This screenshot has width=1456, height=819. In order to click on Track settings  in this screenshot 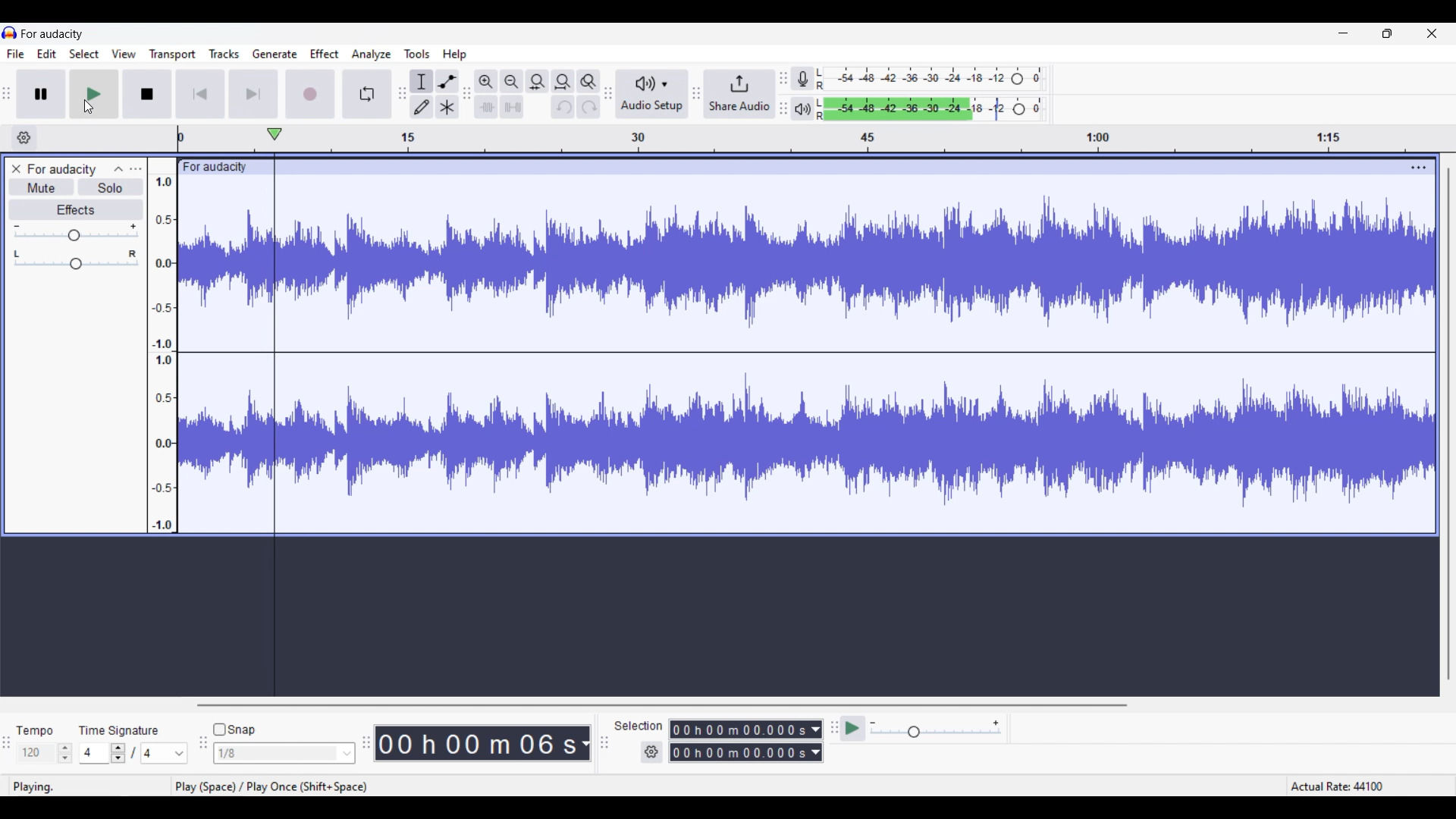, I will do `click(1419, 168)`.